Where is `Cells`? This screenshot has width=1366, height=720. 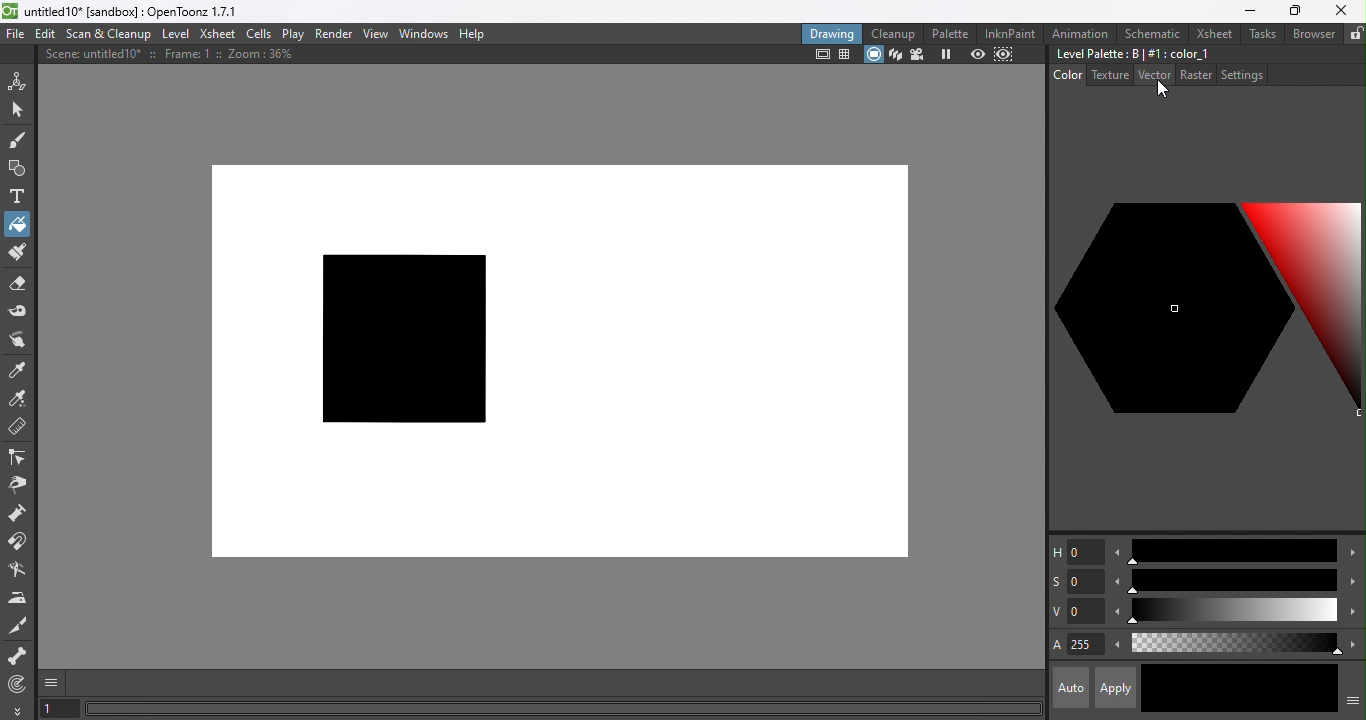 Cells is located at coordinates (258, 35).